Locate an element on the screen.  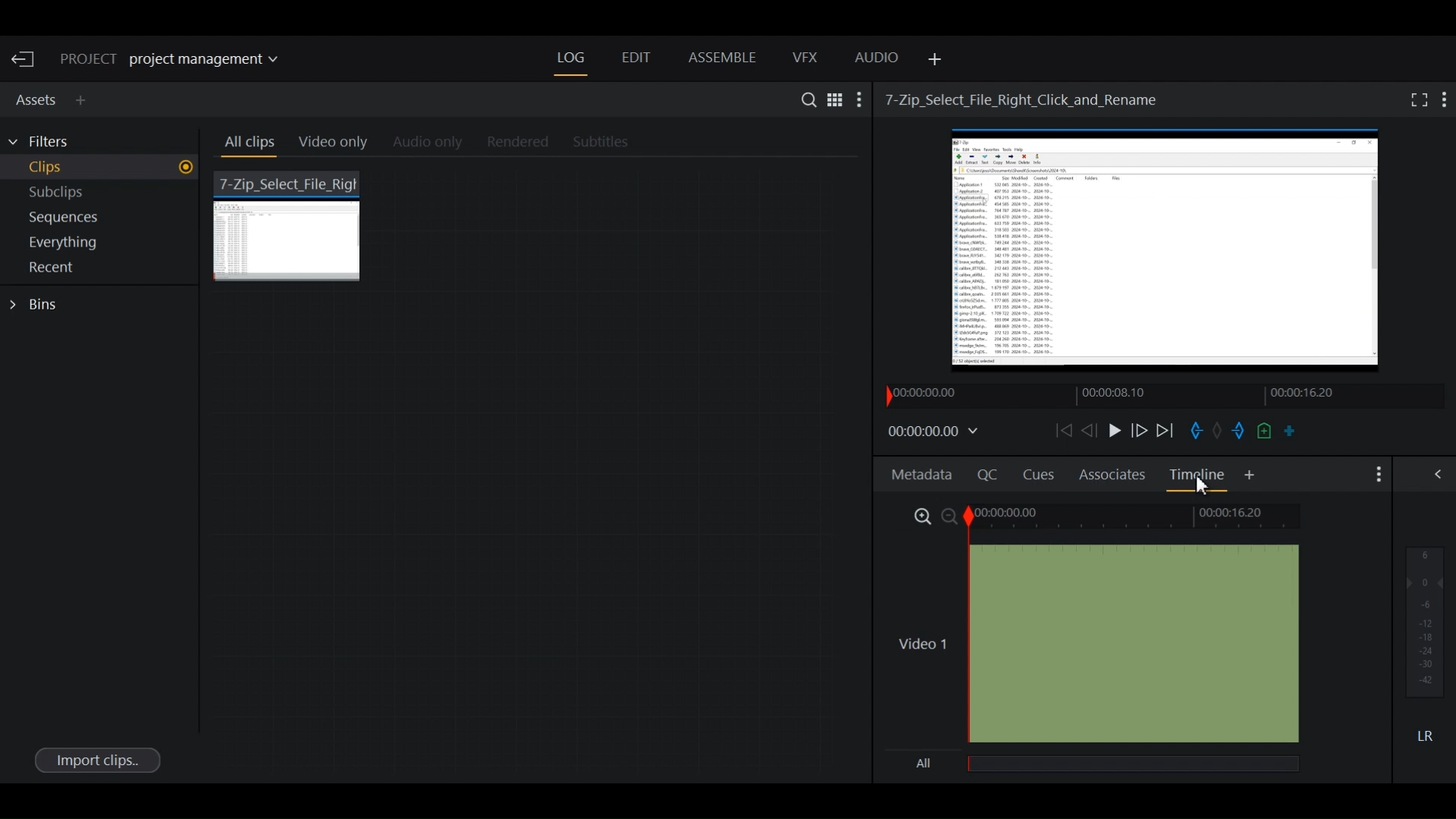
Filters is located at coordinates (47, 142).